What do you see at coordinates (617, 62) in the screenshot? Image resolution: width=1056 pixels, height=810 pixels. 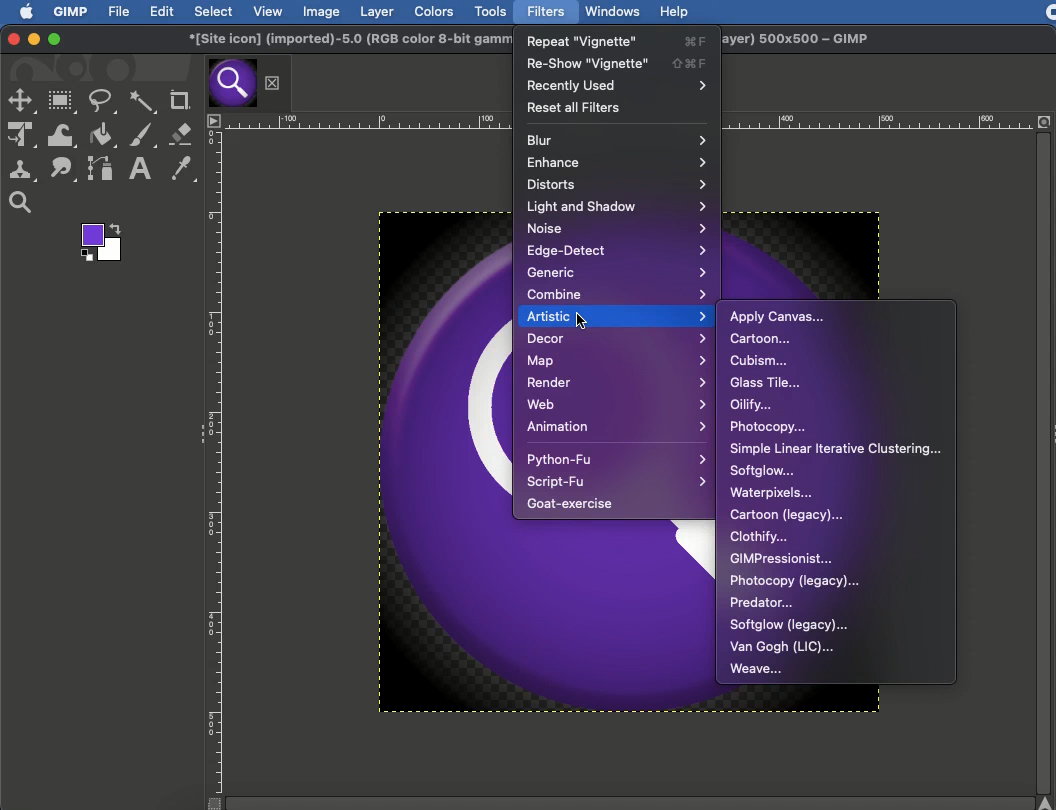 I see `Re-show vignette` at bounding box center [617, 62].